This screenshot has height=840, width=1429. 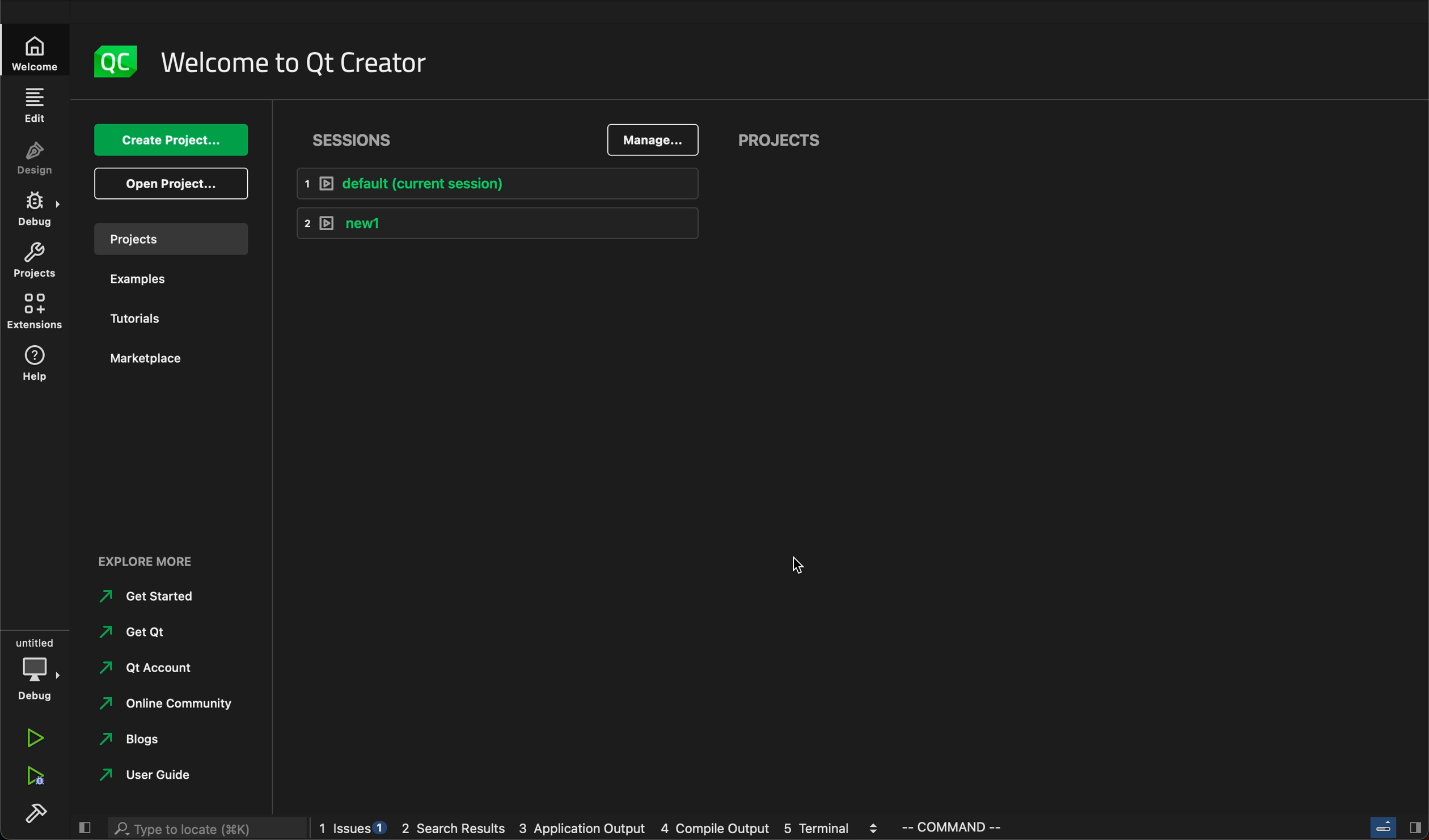 What do you see at coordinates (148, 667) in the screenshot?
I see `account` at bounding box center [148, 667].